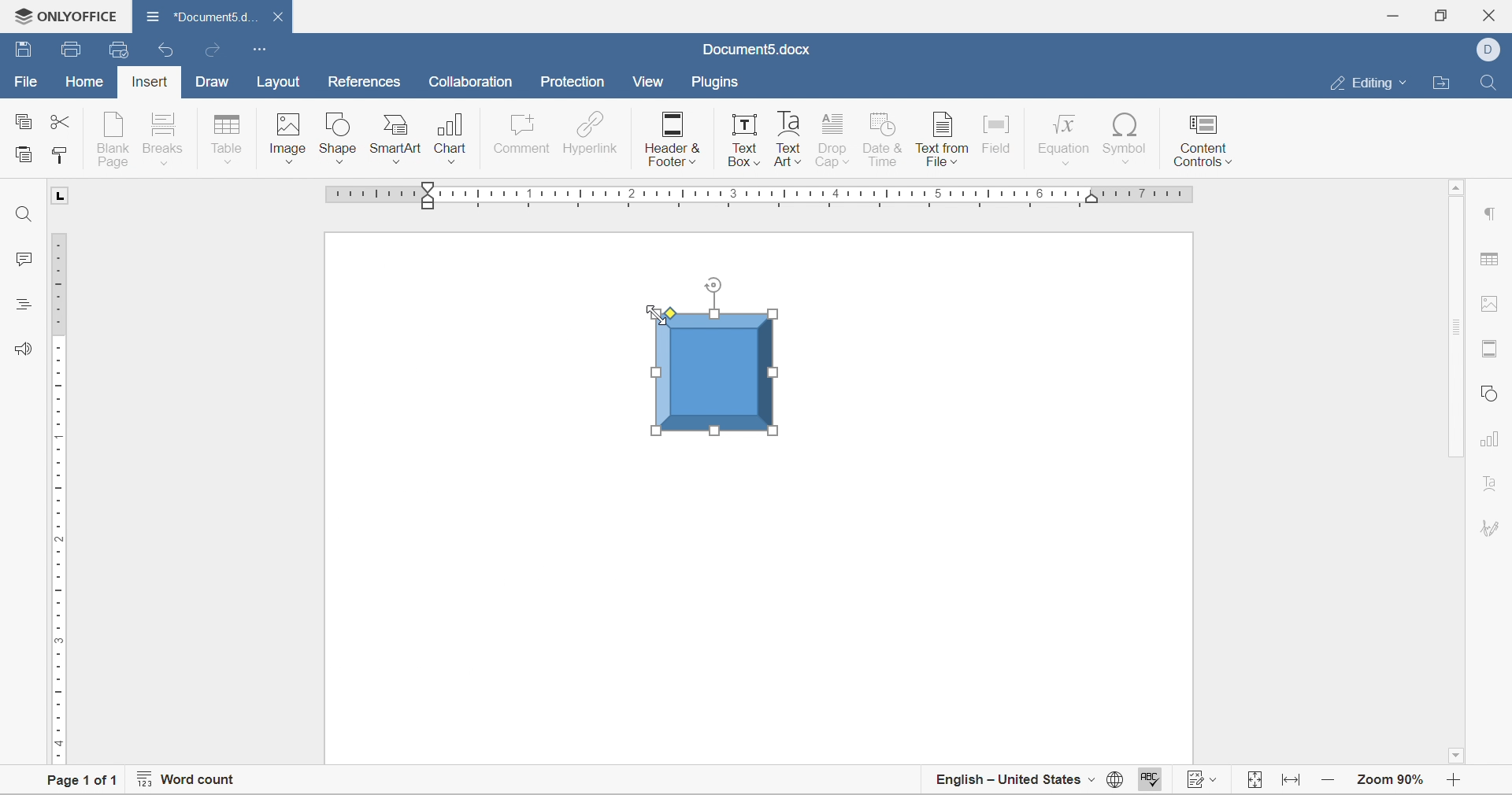 The image size is (1512, 795). Describe the element at coordinates (1492, 527) in the screenshot. I see `signature settings` at that location.